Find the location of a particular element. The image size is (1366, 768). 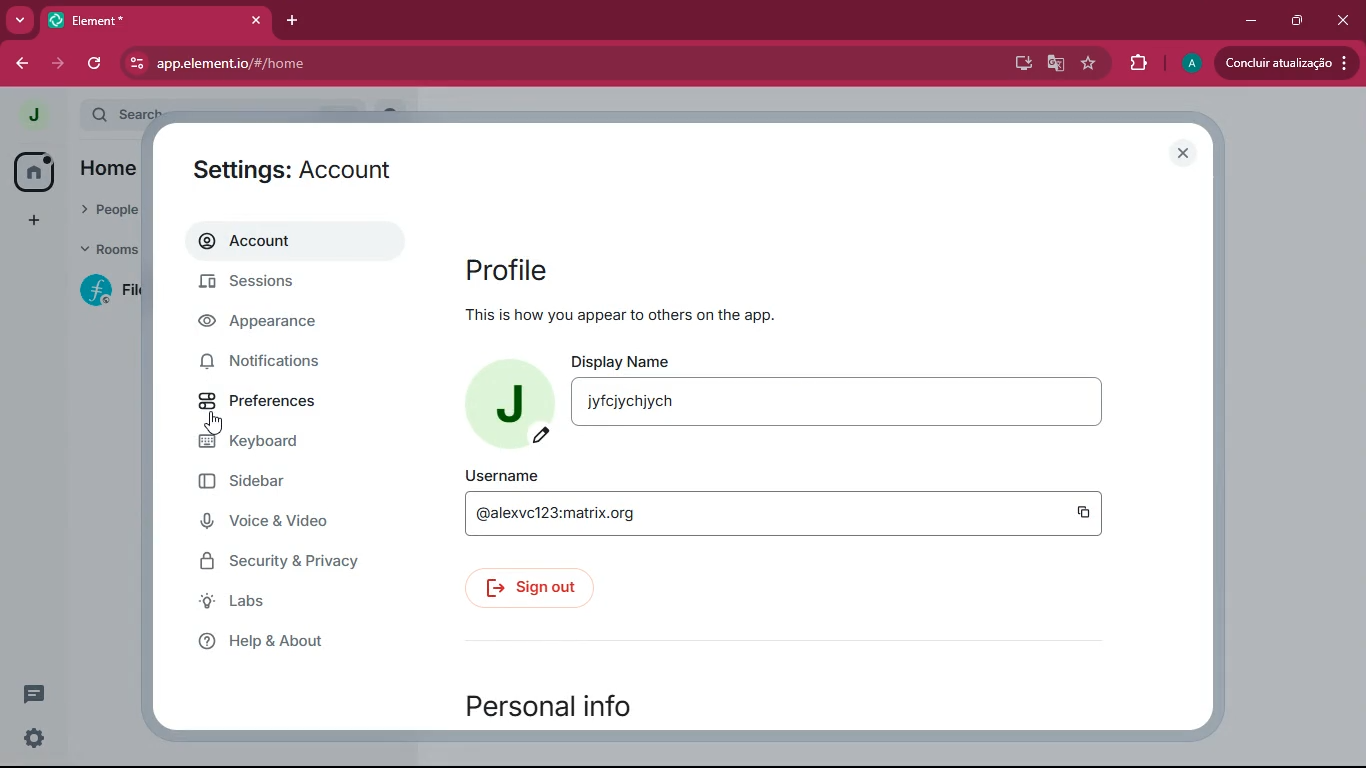

profile is located at coordinates (1189, 62).